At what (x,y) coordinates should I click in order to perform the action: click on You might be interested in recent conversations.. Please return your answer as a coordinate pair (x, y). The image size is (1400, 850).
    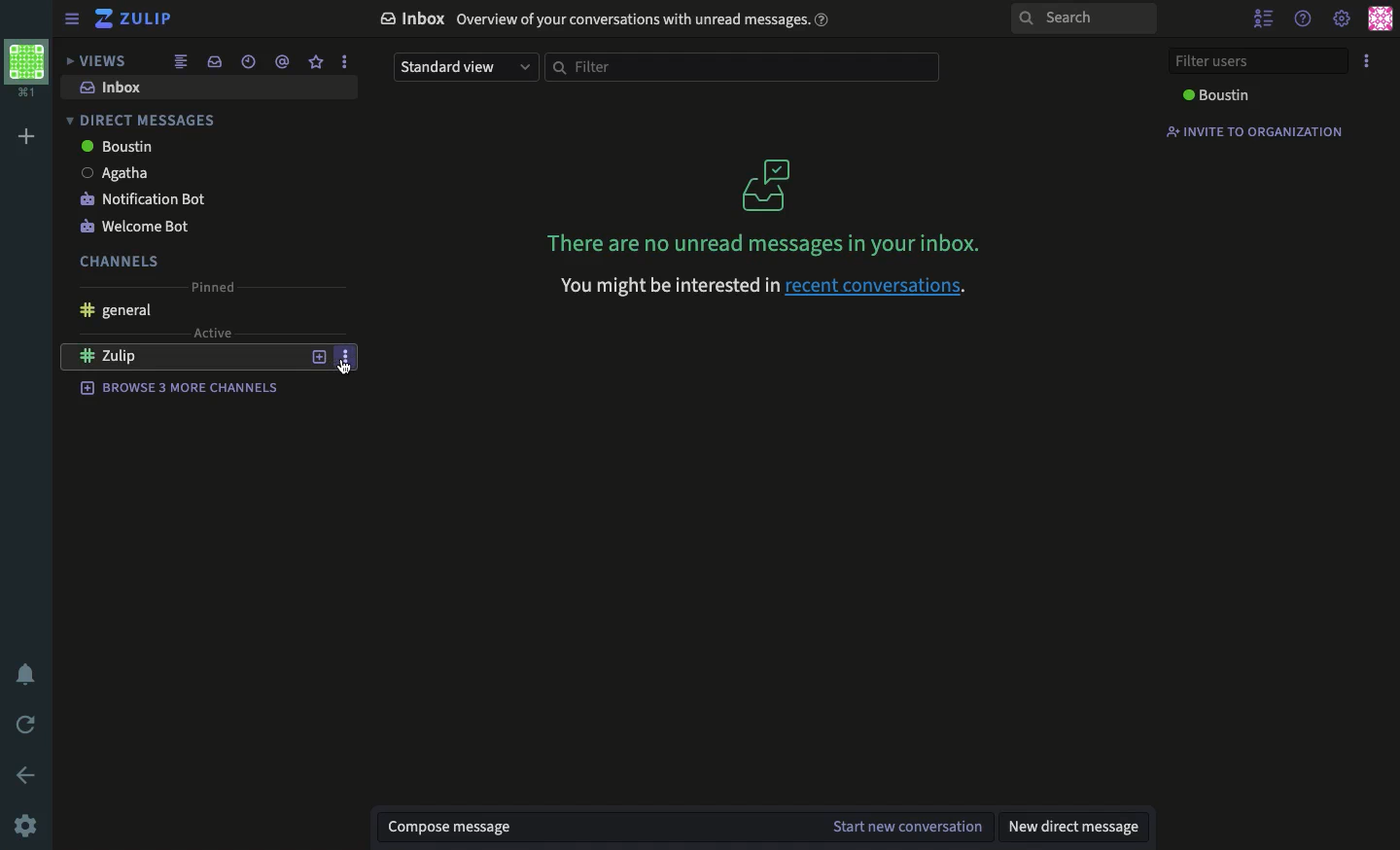
    Looking at the image, I should click on (656, 288).